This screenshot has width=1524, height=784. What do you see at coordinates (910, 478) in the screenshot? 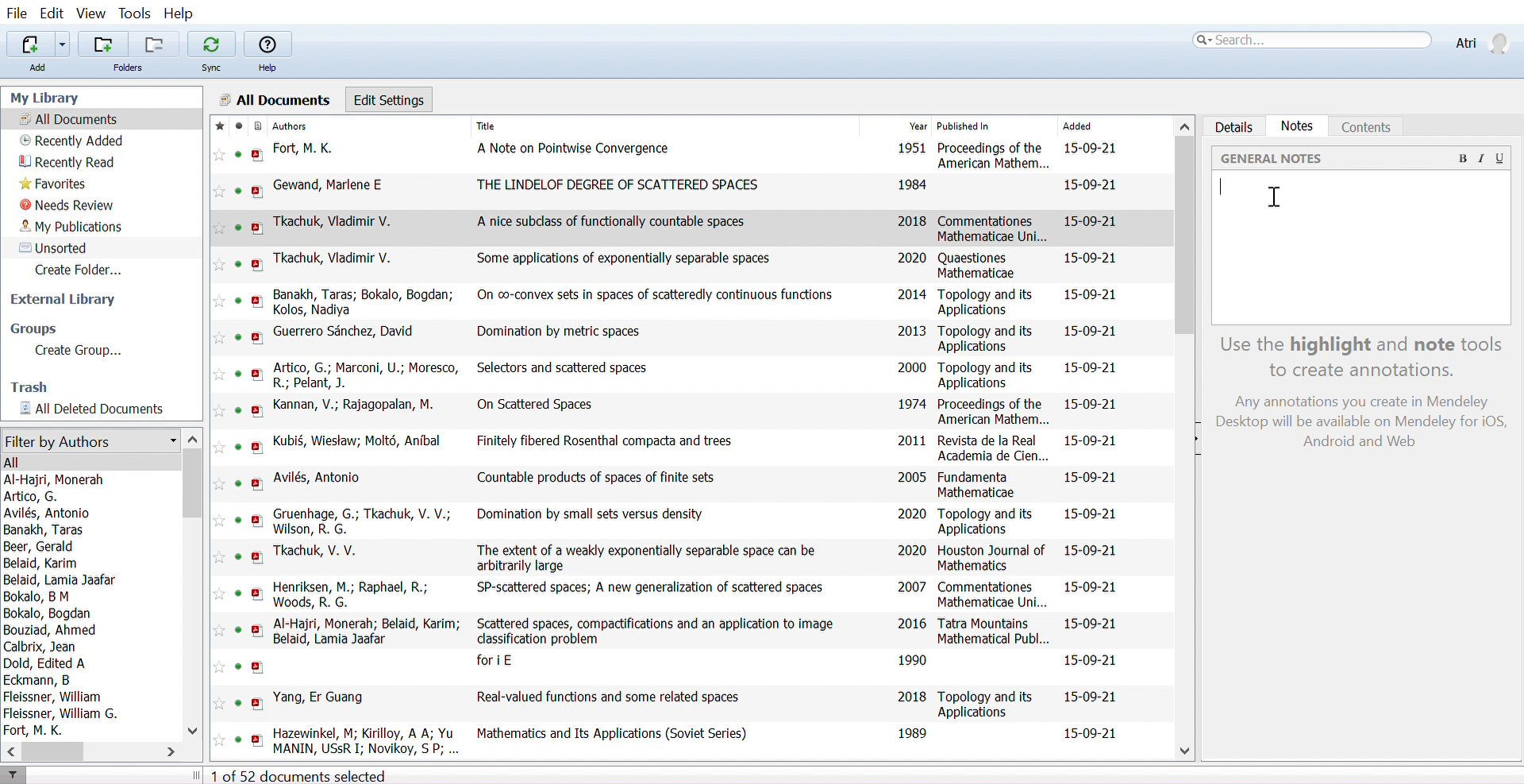
I see `2005` at bounding box center [910, 478].